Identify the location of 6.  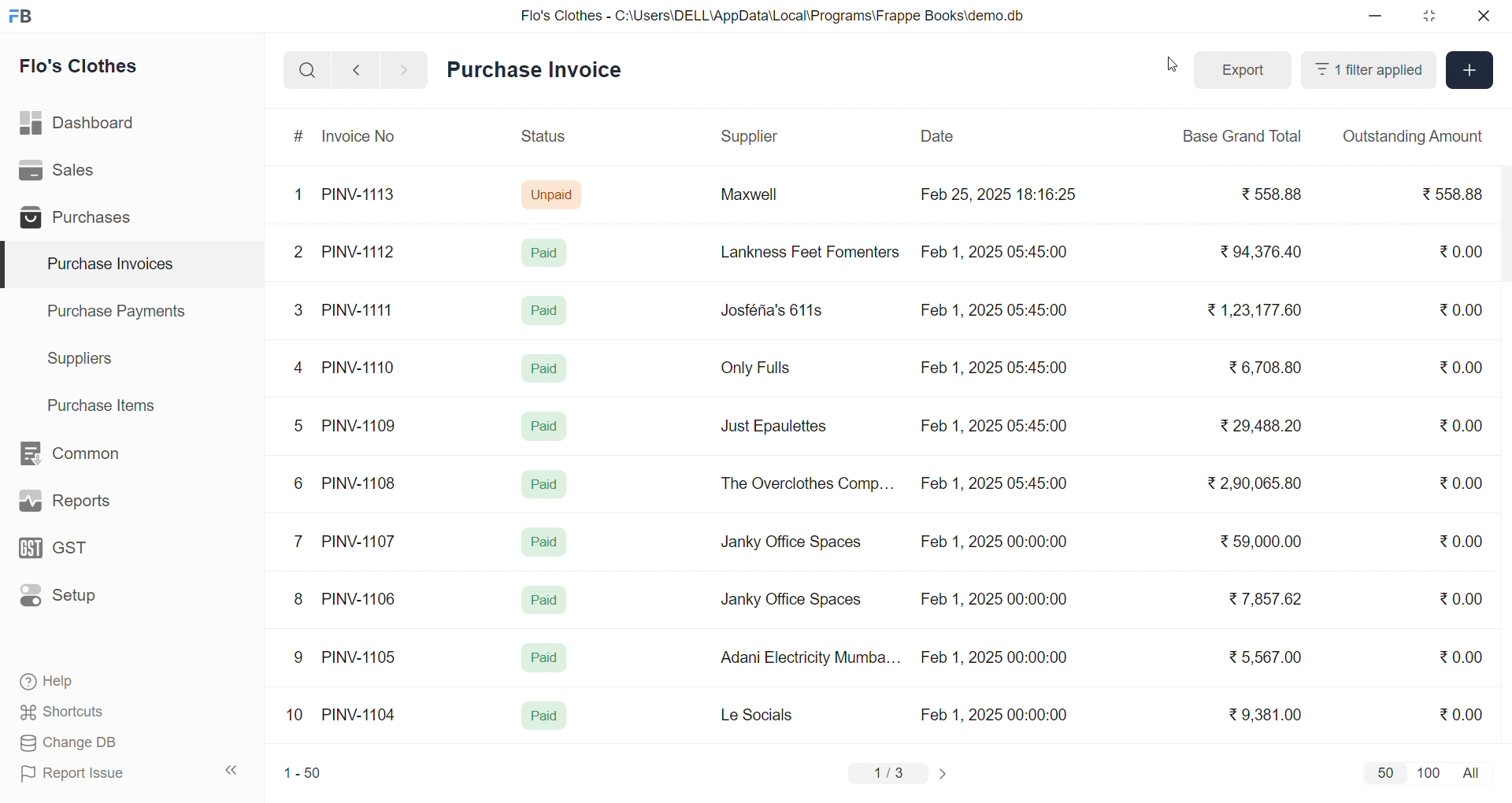
(298, 483).